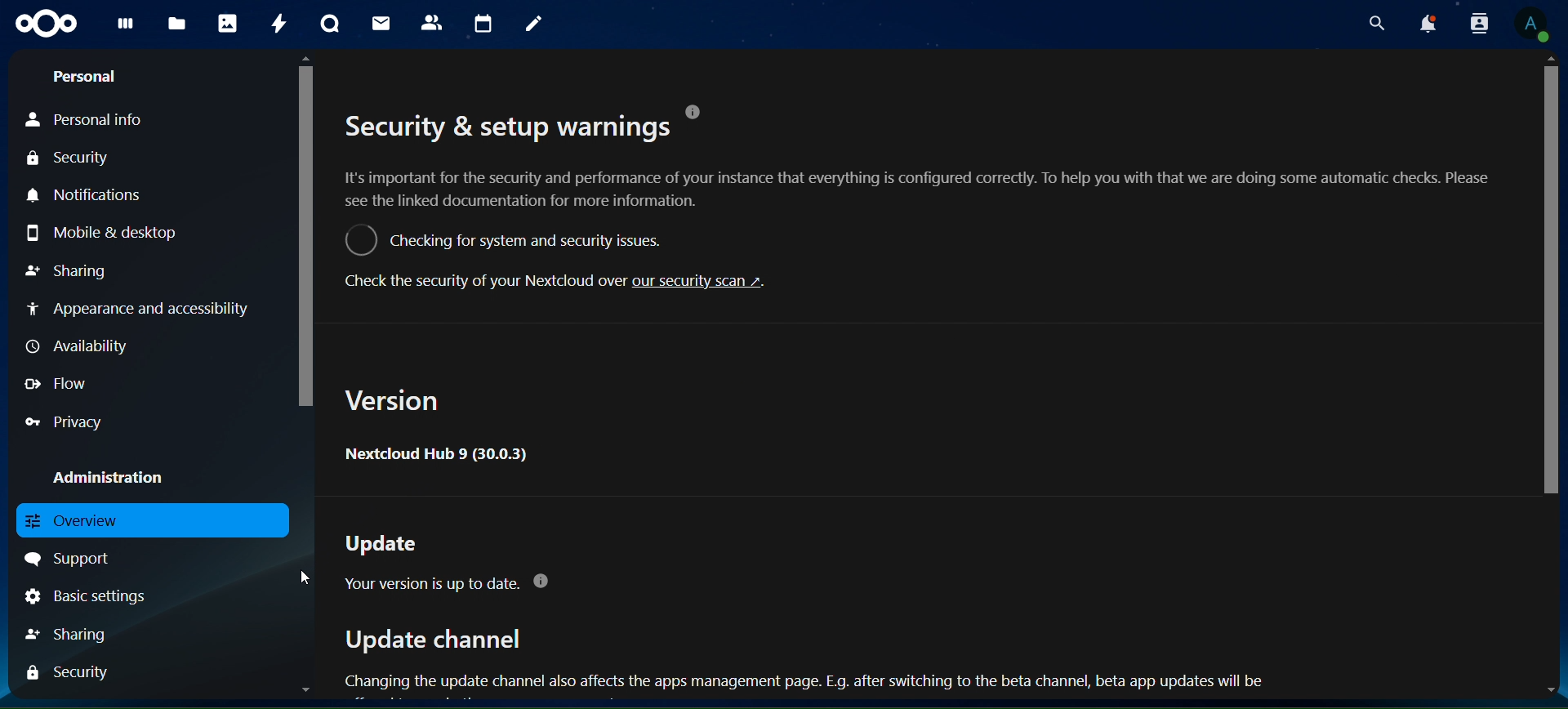 The height and width of the screenshot is (709, 1568). Describe the element at coordinates (46, 24) in the screenshot. I see `icon` at that location.